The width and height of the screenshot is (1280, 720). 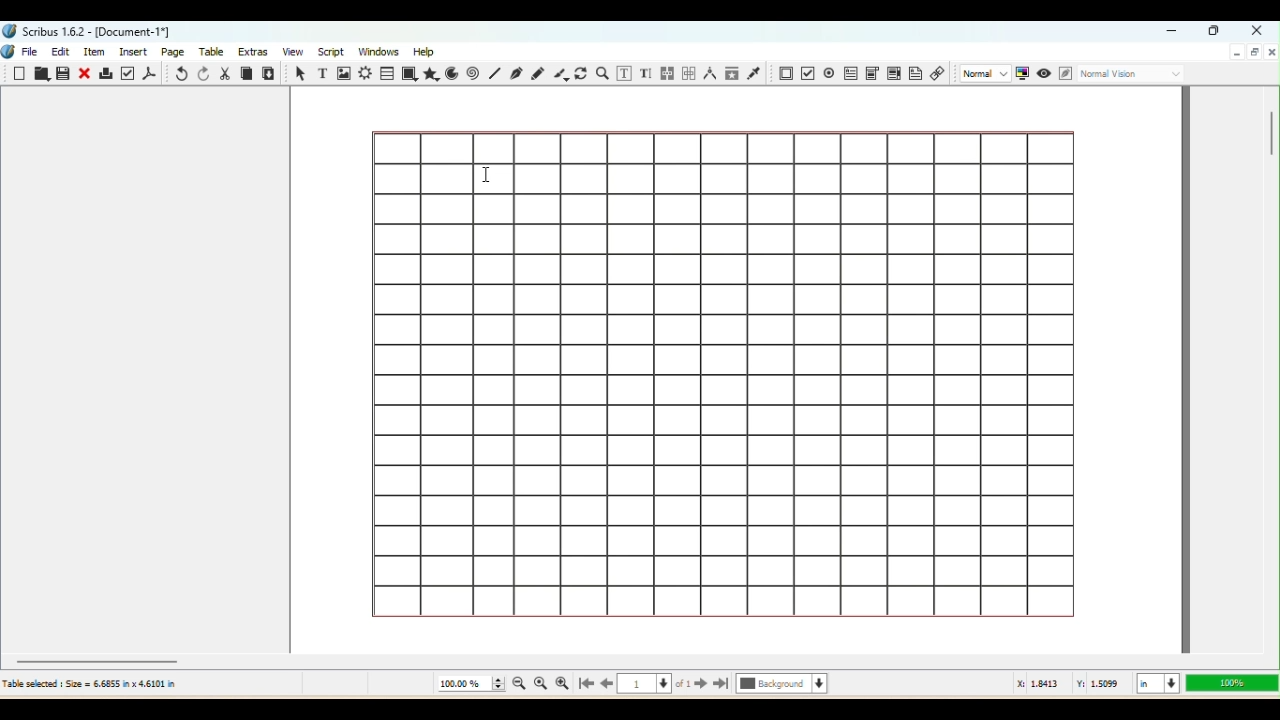 What do you see at coordinates (647, 73) in the screenshot?
I see `Edit text with story editor` at bounding box center [647, 73].